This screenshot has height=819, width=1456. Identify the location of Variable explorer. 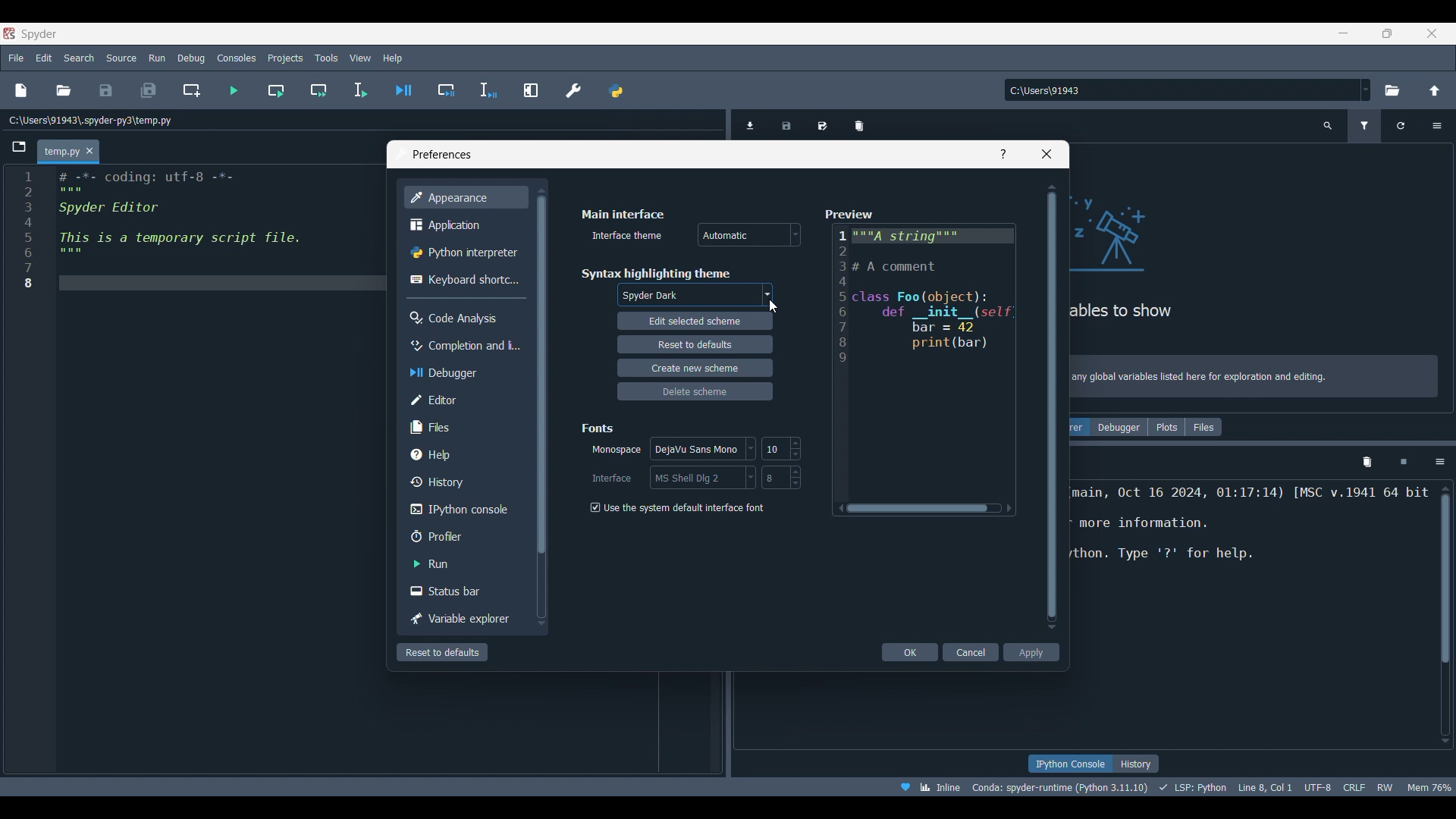
(1079, 427).